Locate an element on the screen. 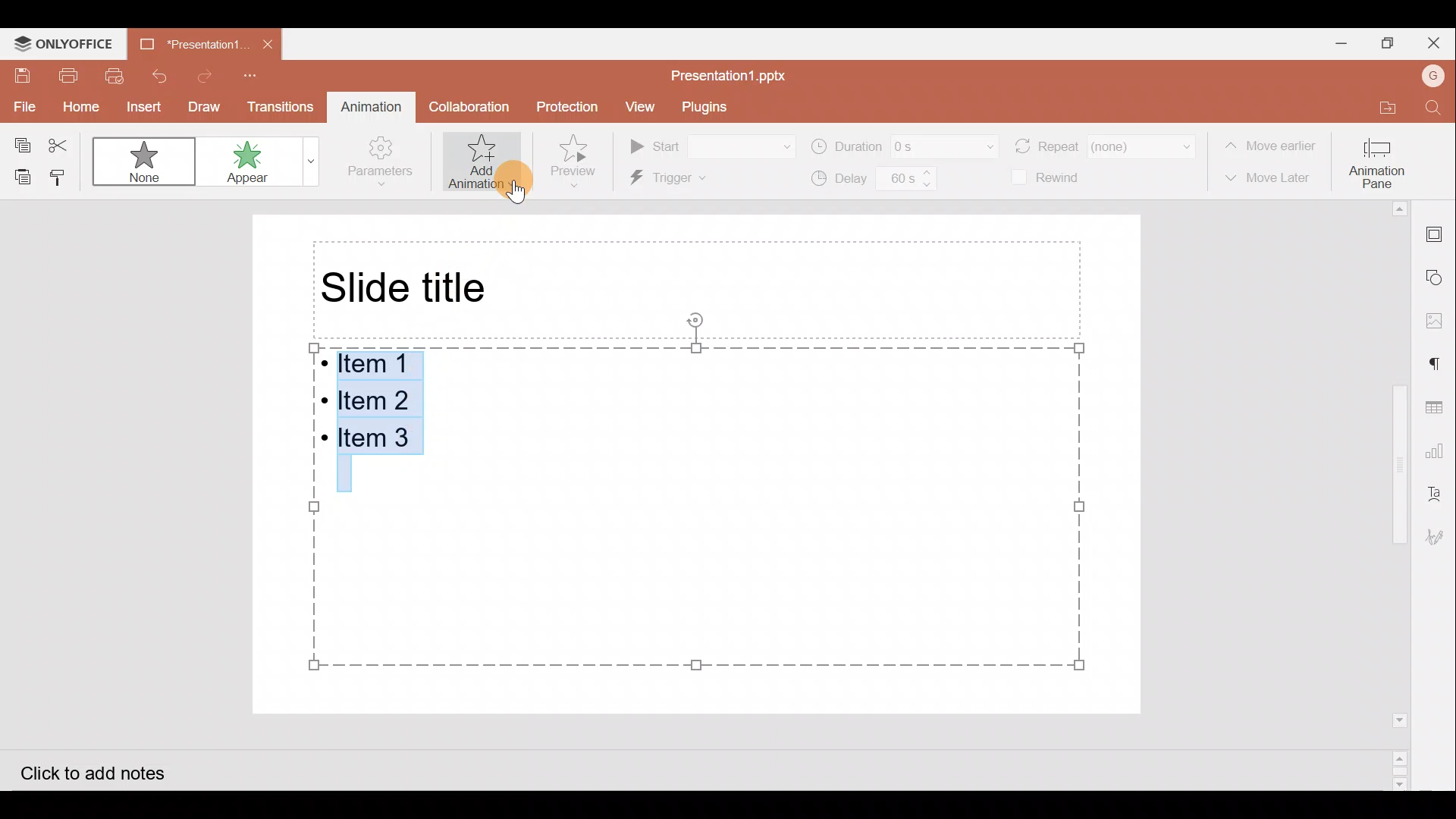 The height and width of the screenshot is (819, 1456). Collaboration is located at coordinates (470, 106).